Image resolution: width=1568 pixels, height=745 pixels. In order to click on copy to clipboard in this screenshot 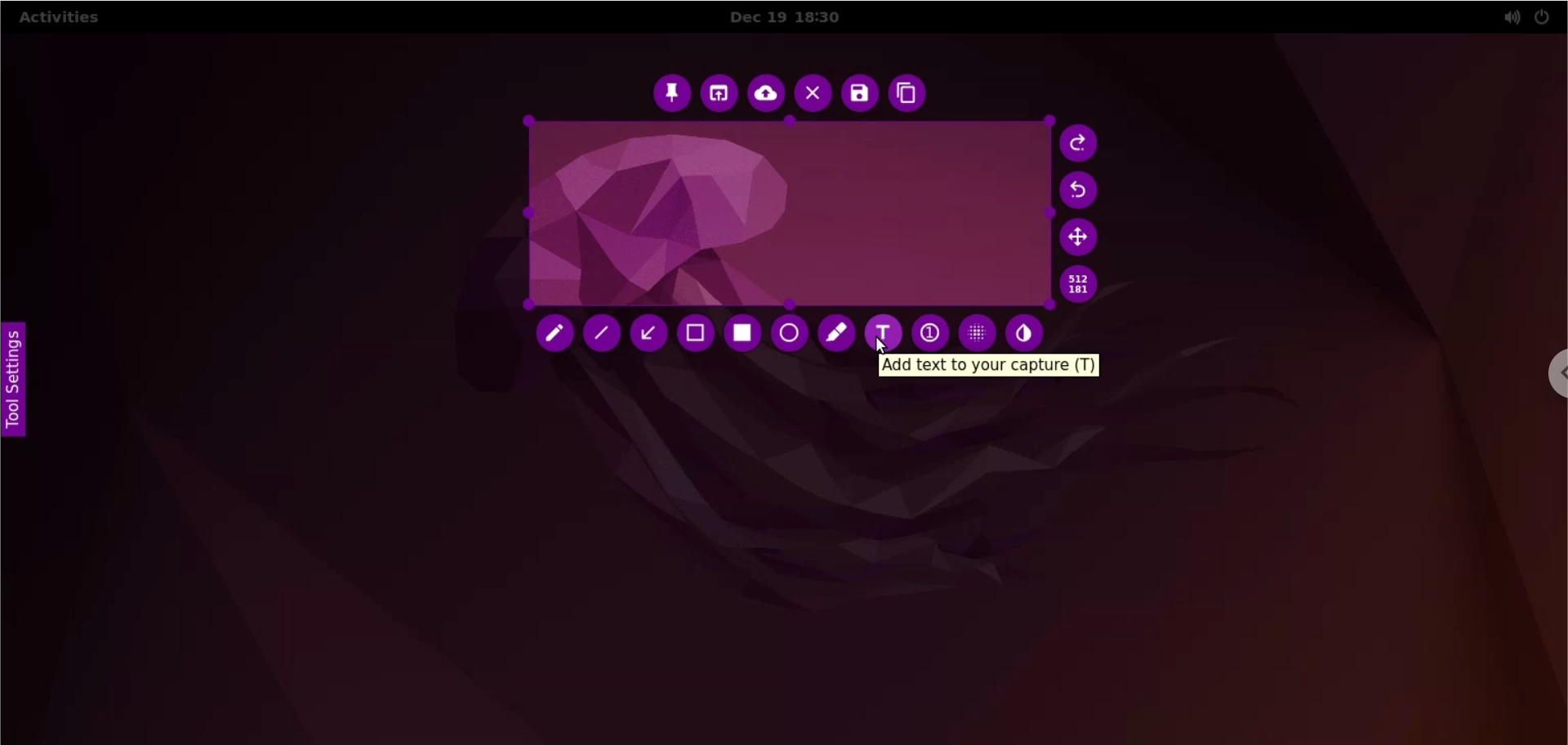, I will do `click(912, 94)`.